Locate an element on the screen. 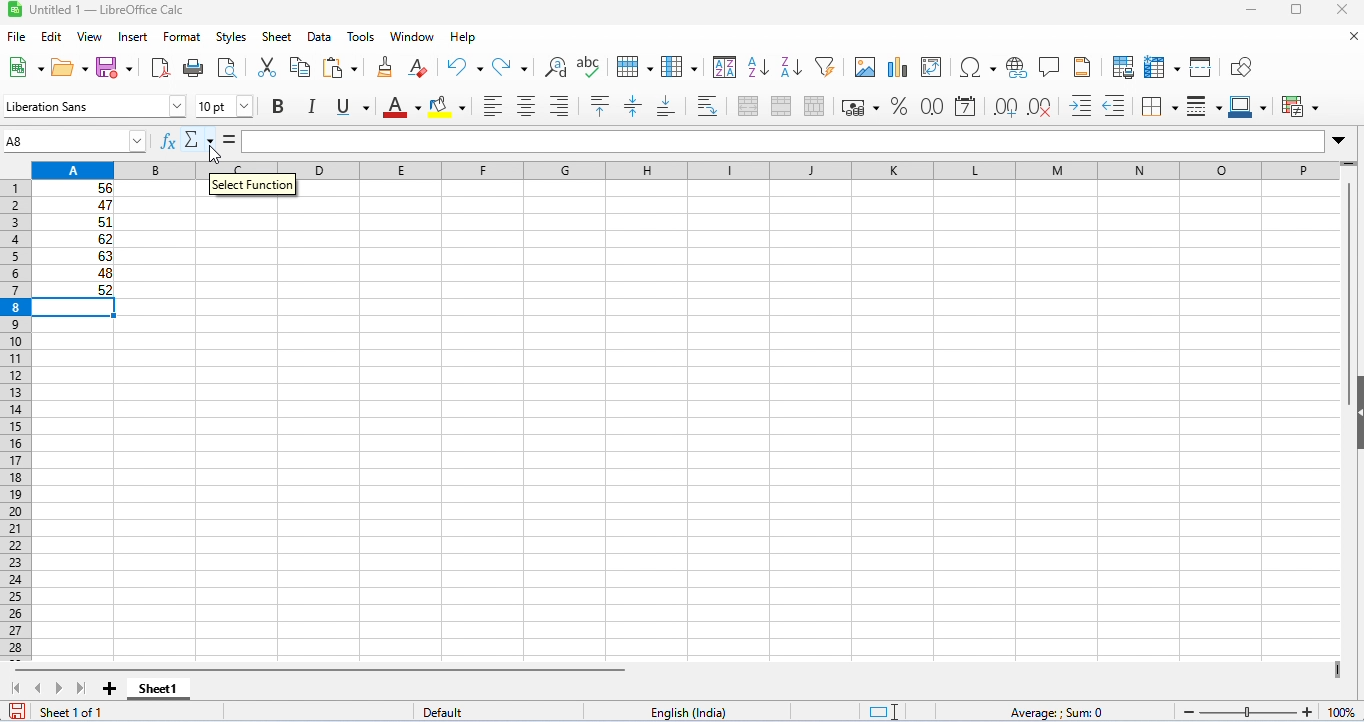 The height and width of the screenshot is (722, 1364). formula bar is located at coordinates (783, 141).